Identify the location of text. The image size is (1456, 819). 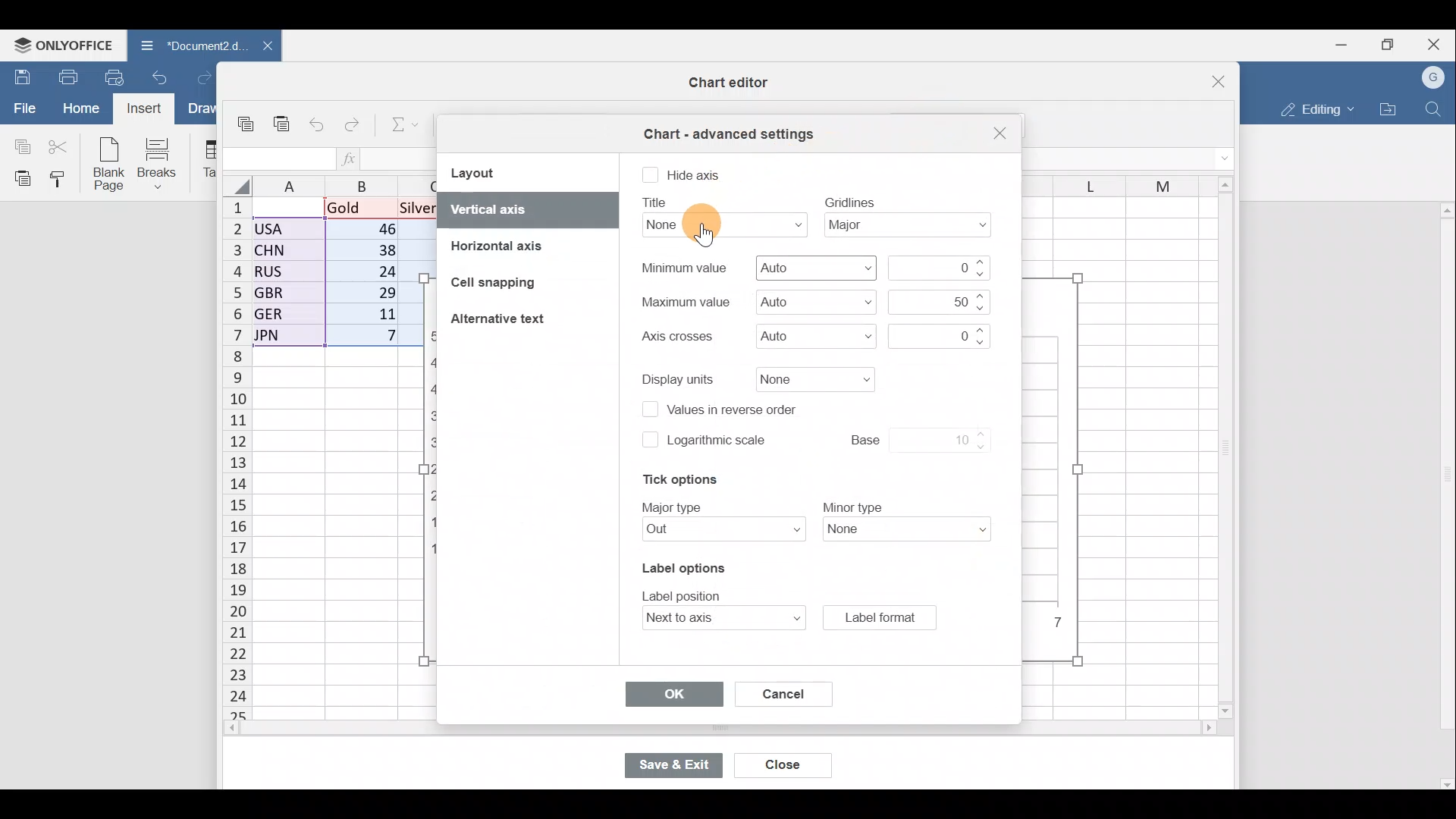
(686, 594).